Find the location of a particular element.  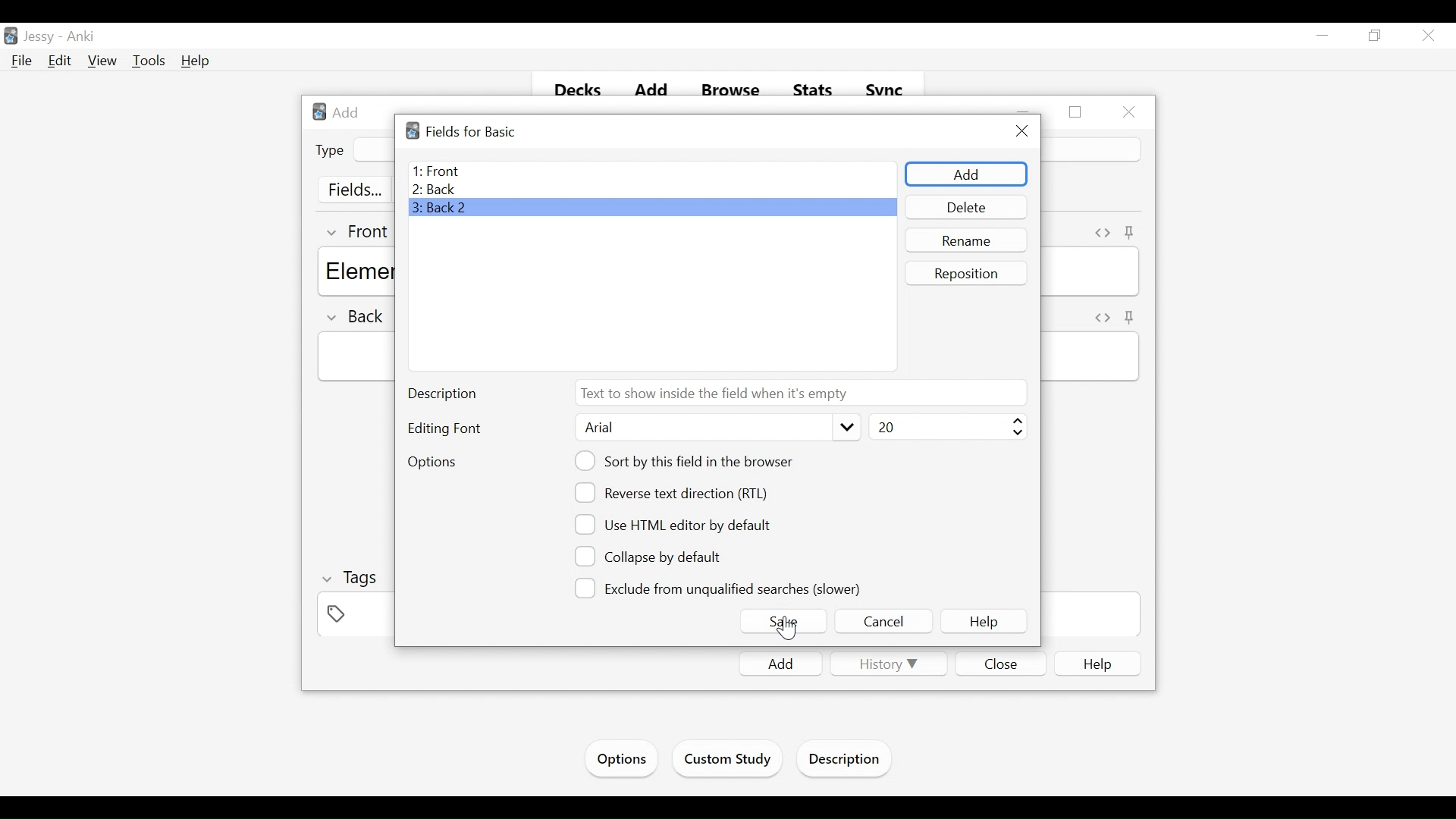

Description is located at coordinates (848, 761).